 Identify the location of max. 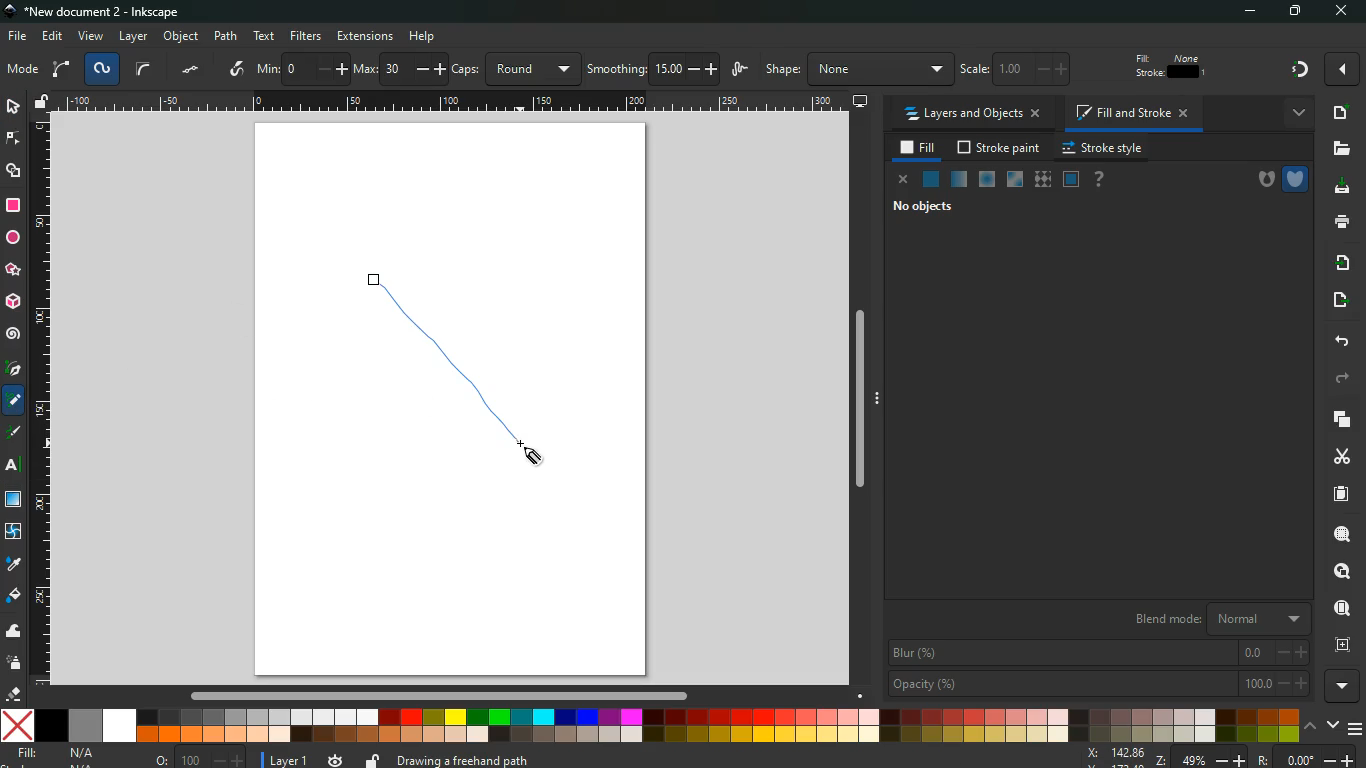
(399, 69).